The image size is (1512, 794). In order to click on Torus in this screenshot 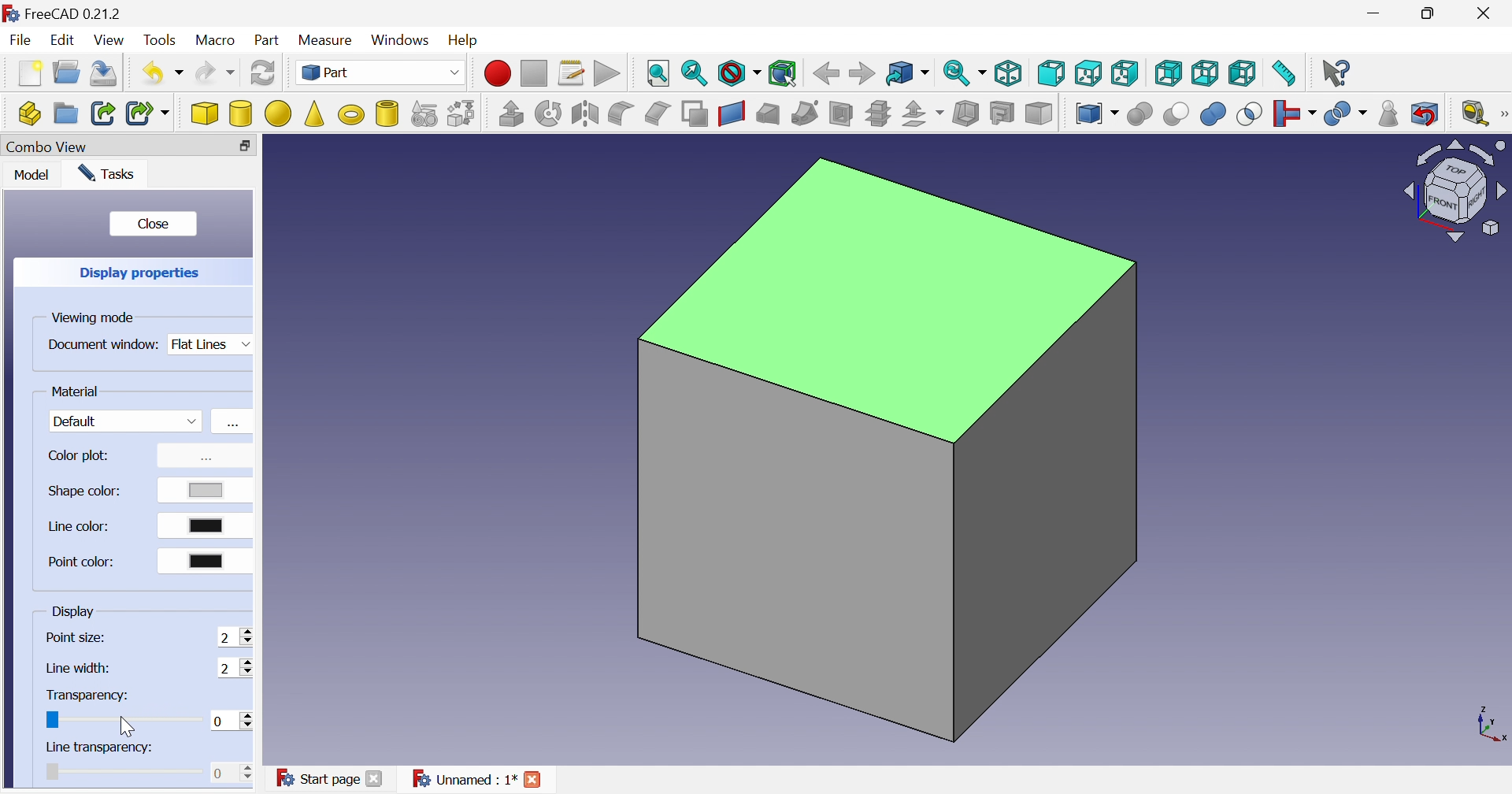, I will do `click(354, 117)`.